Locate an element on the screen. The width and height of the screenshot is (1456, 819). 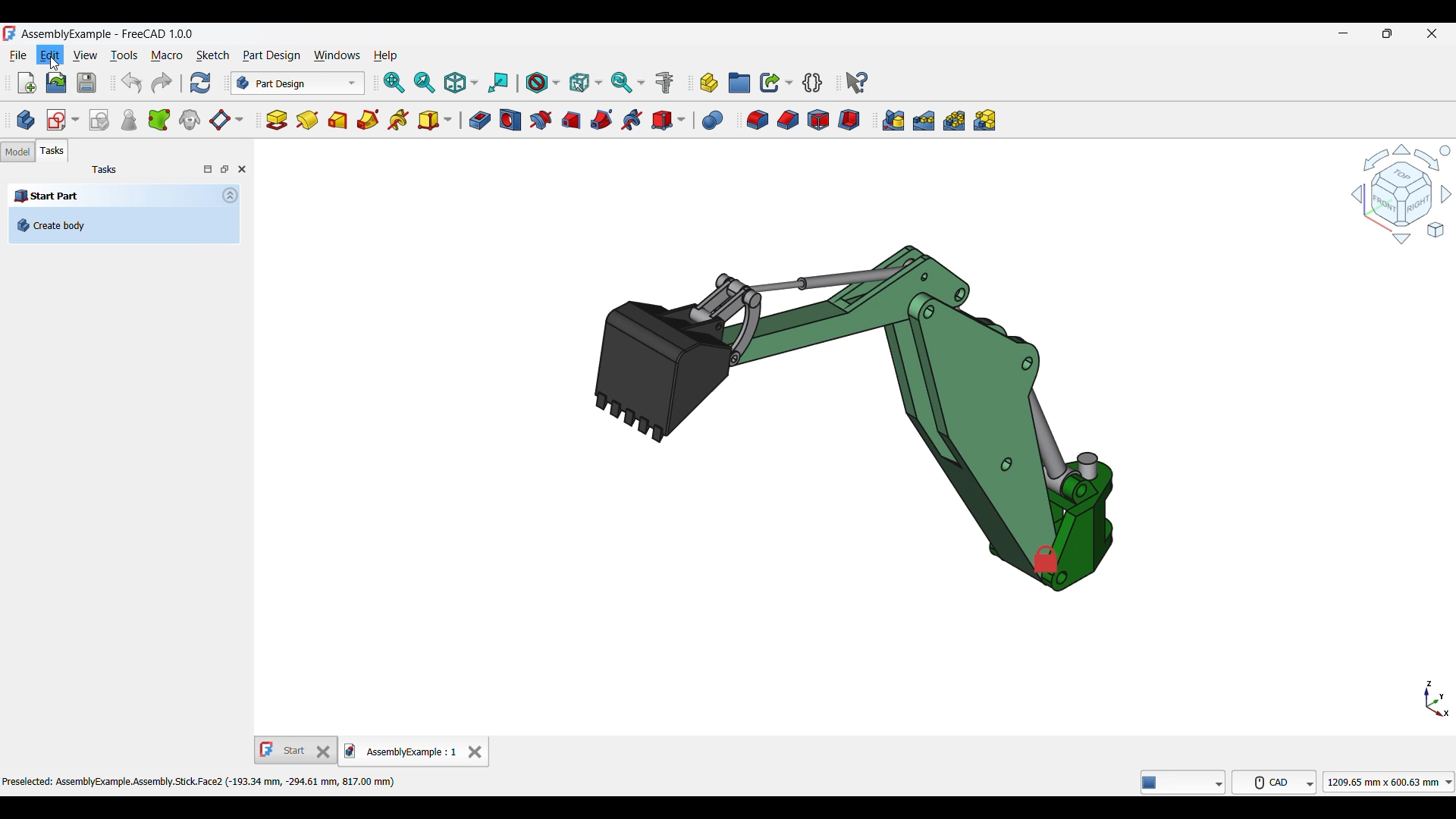
Create an additie primitive is located at coordinates (435, 121).